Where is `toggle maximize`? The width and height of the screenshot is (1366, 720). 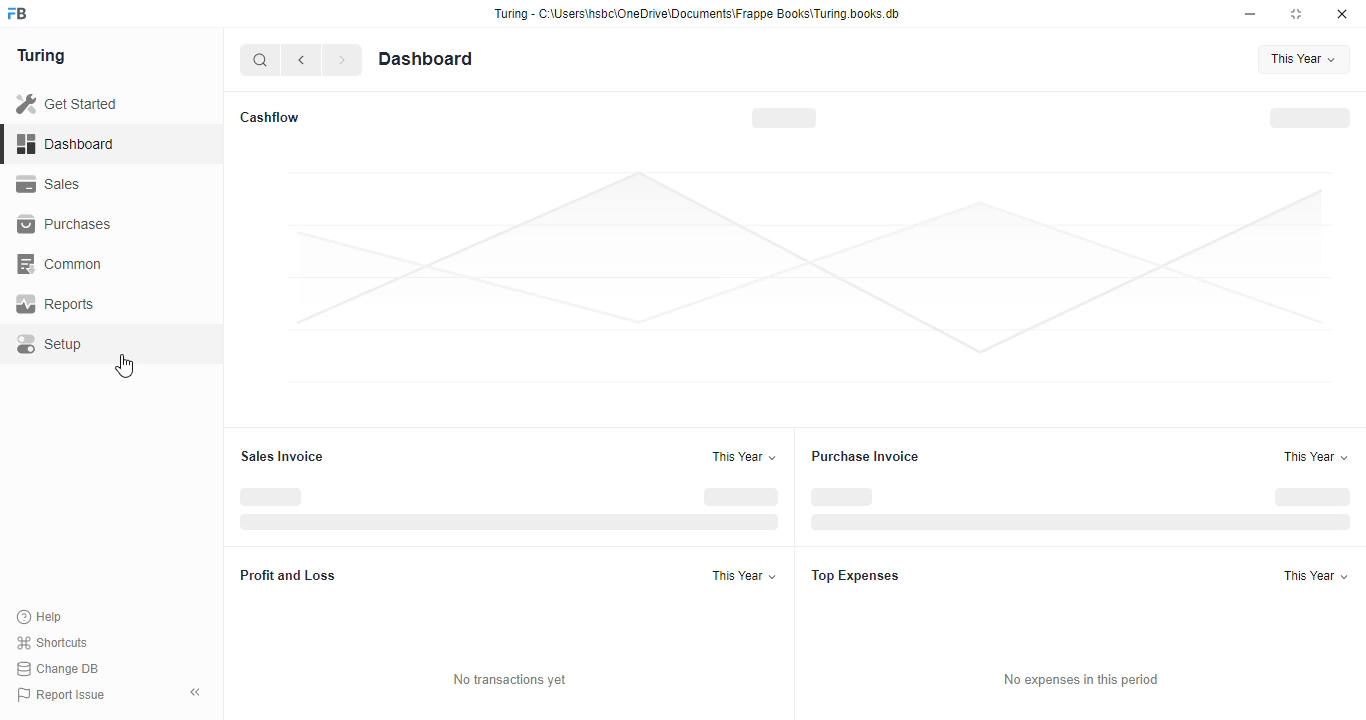 toggle maximize is located at coordinates (1295, 13).